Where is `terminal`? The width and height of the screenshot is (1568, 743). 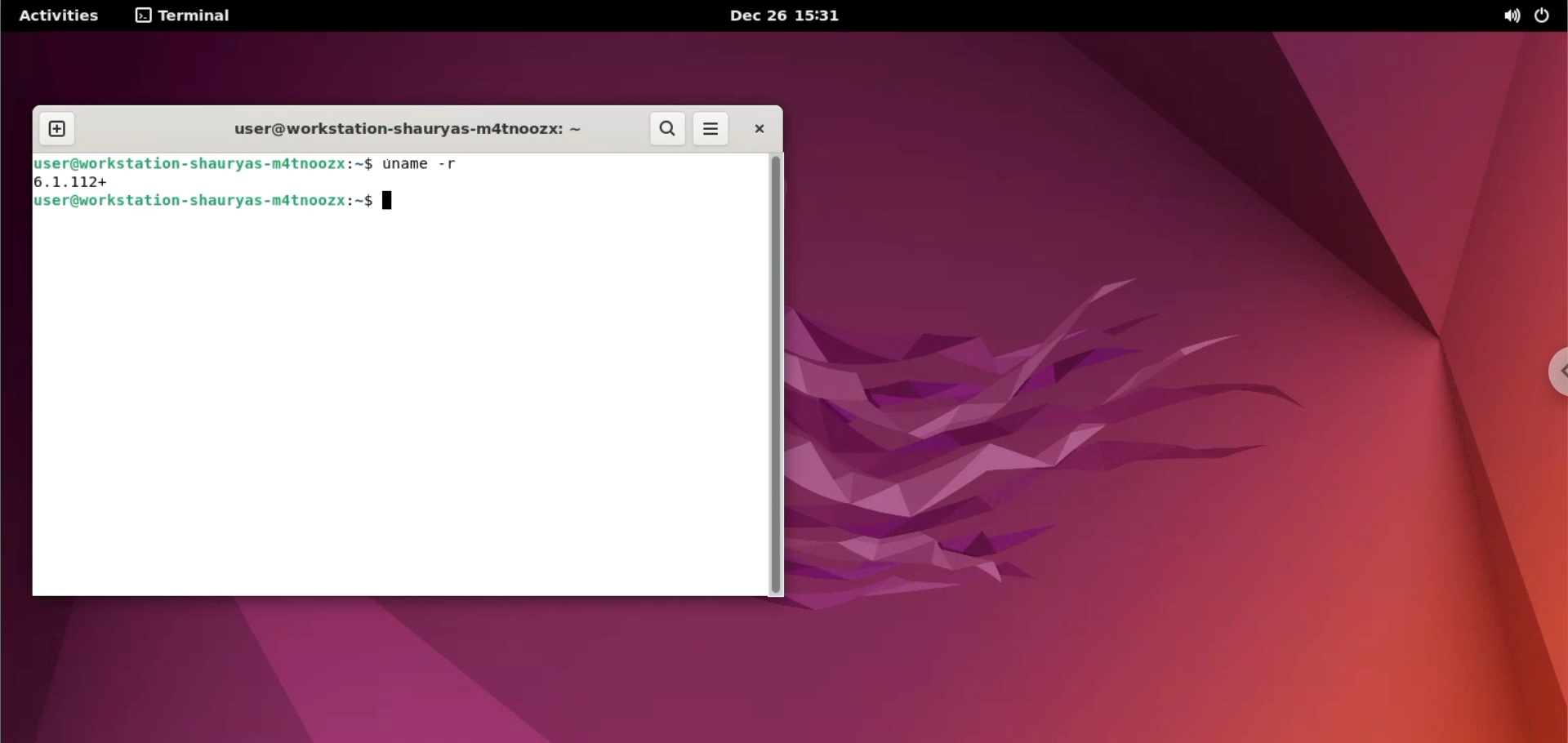
terminal is located at coordinates (189, 18).